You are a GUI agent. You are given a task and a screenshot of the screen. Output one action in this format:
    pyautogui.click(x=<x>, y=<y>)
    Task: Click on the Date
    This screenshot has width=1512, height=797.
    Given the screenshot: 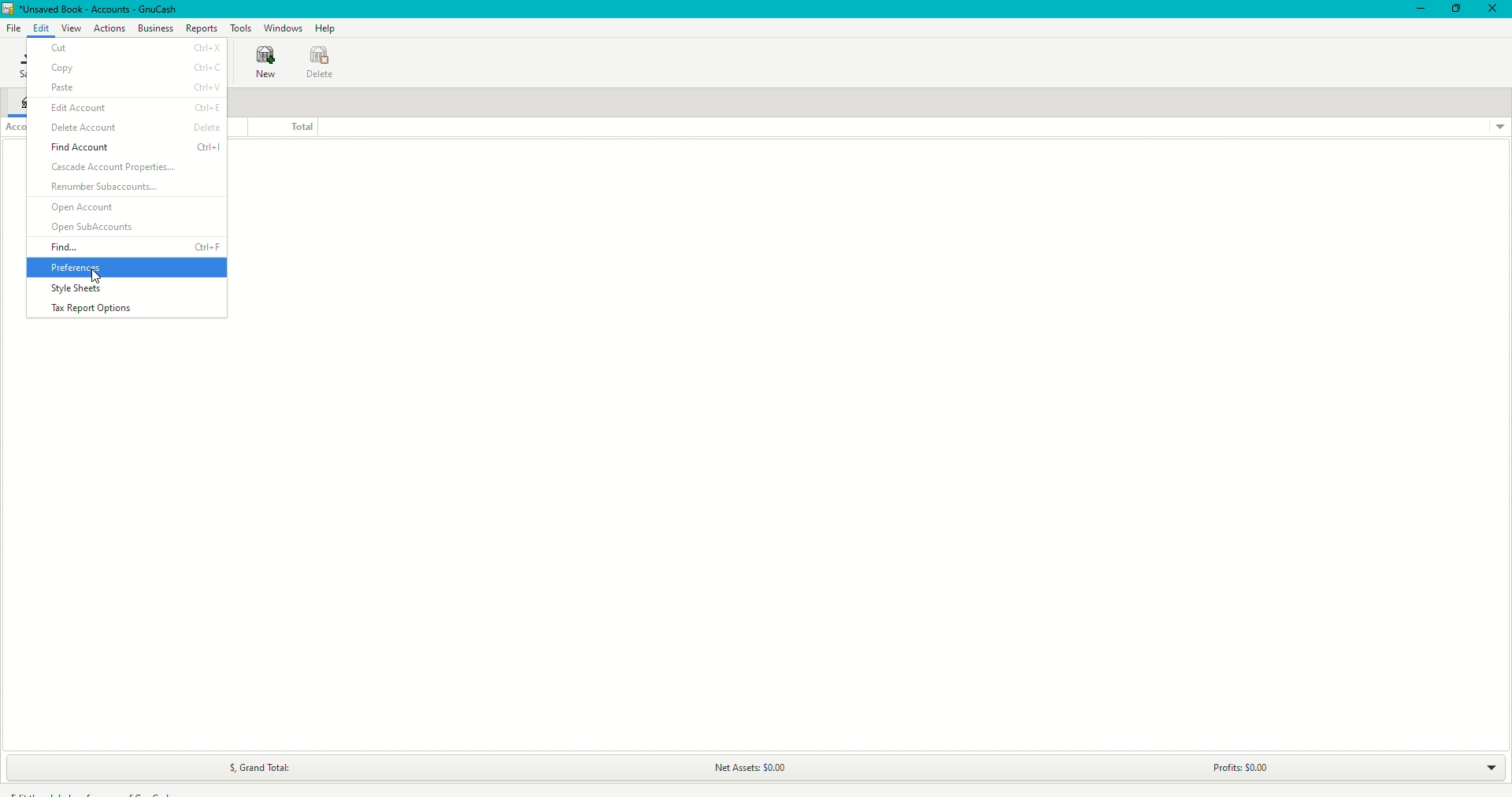 What is the action you would take?
    pyautogui.click(x=323, y=63)
    